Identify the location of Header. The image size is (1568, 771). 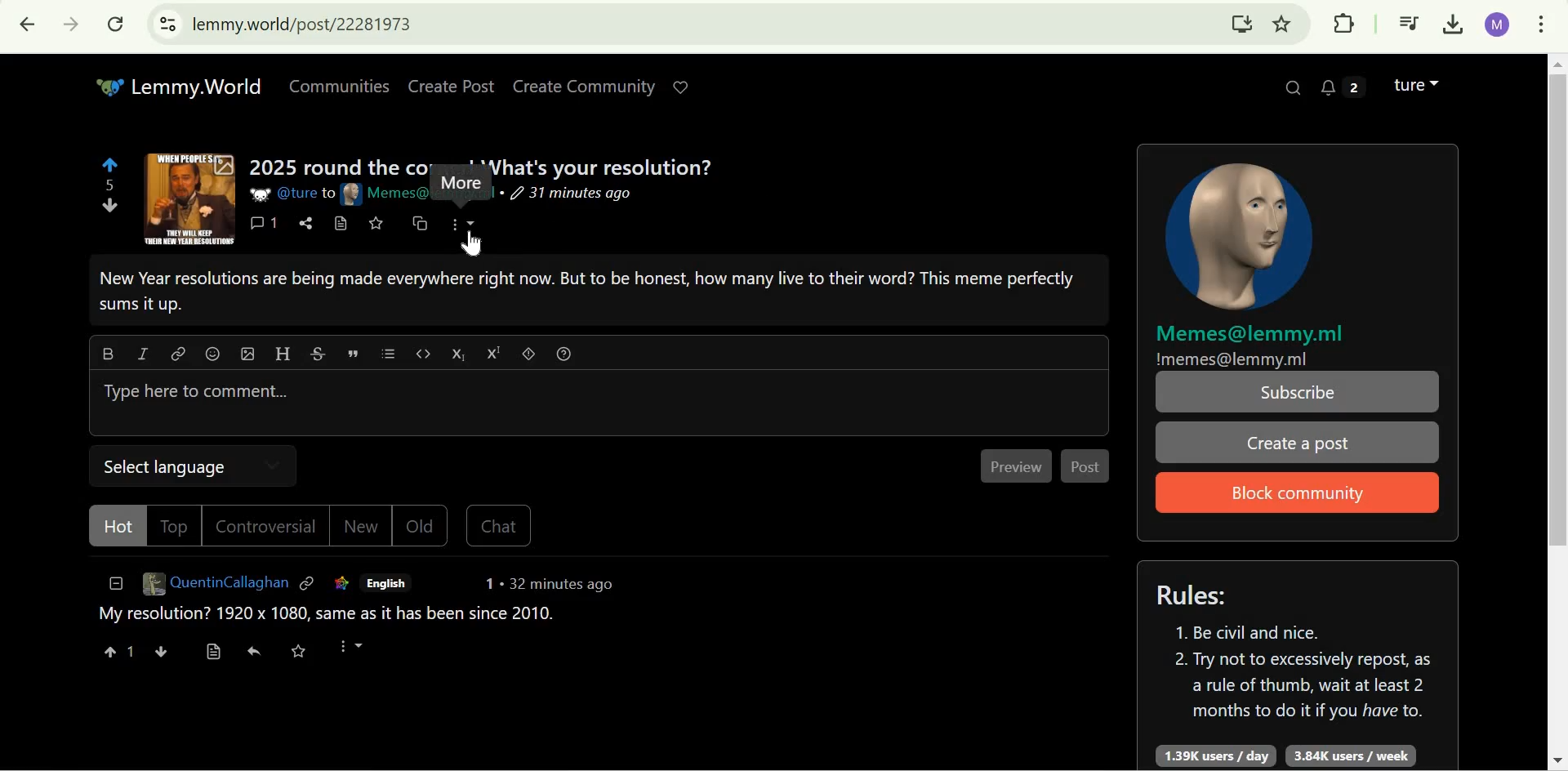
(282, 353).